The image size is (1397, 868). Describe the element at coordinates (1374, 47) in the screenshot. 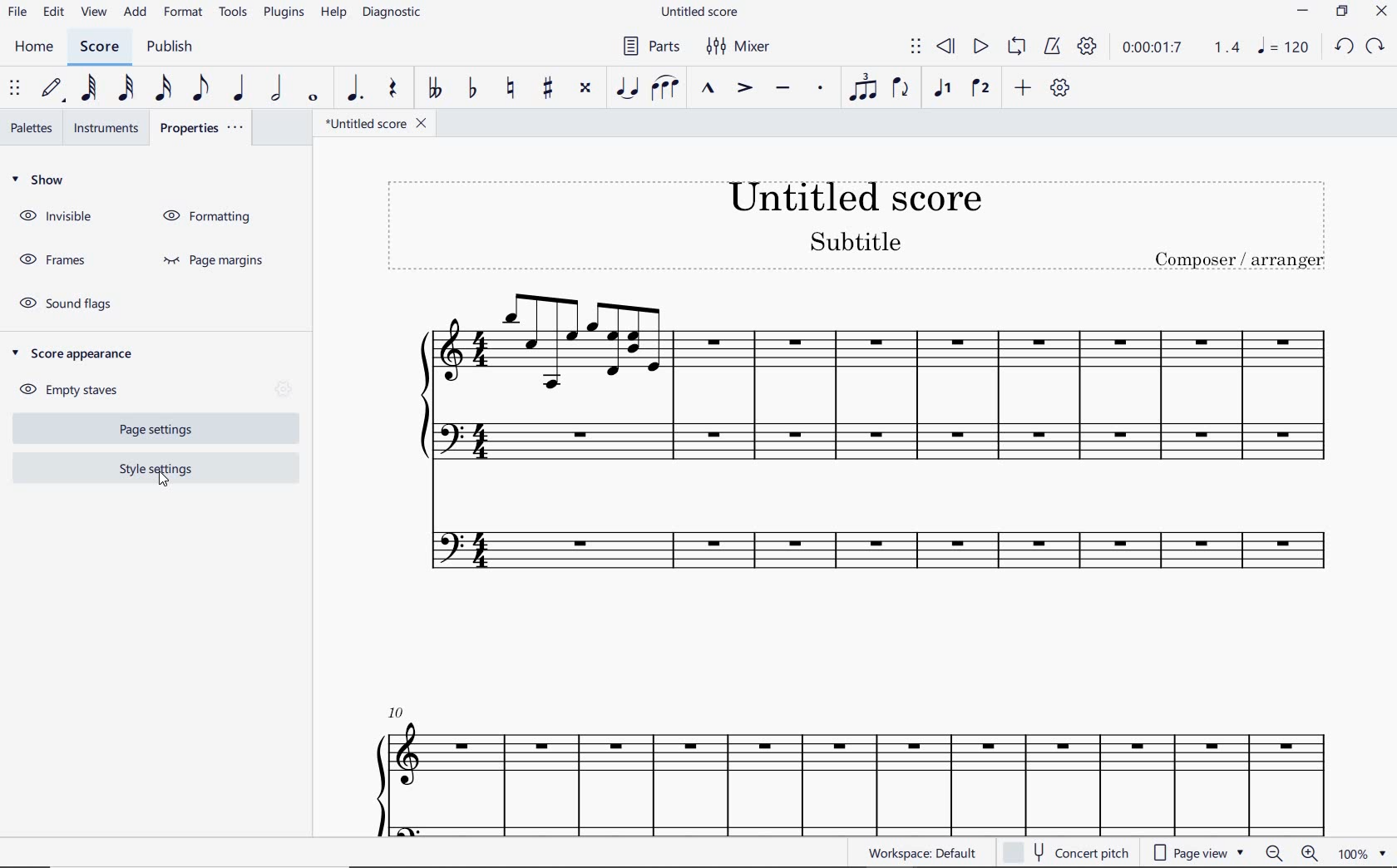

I see `REDO` at that location.